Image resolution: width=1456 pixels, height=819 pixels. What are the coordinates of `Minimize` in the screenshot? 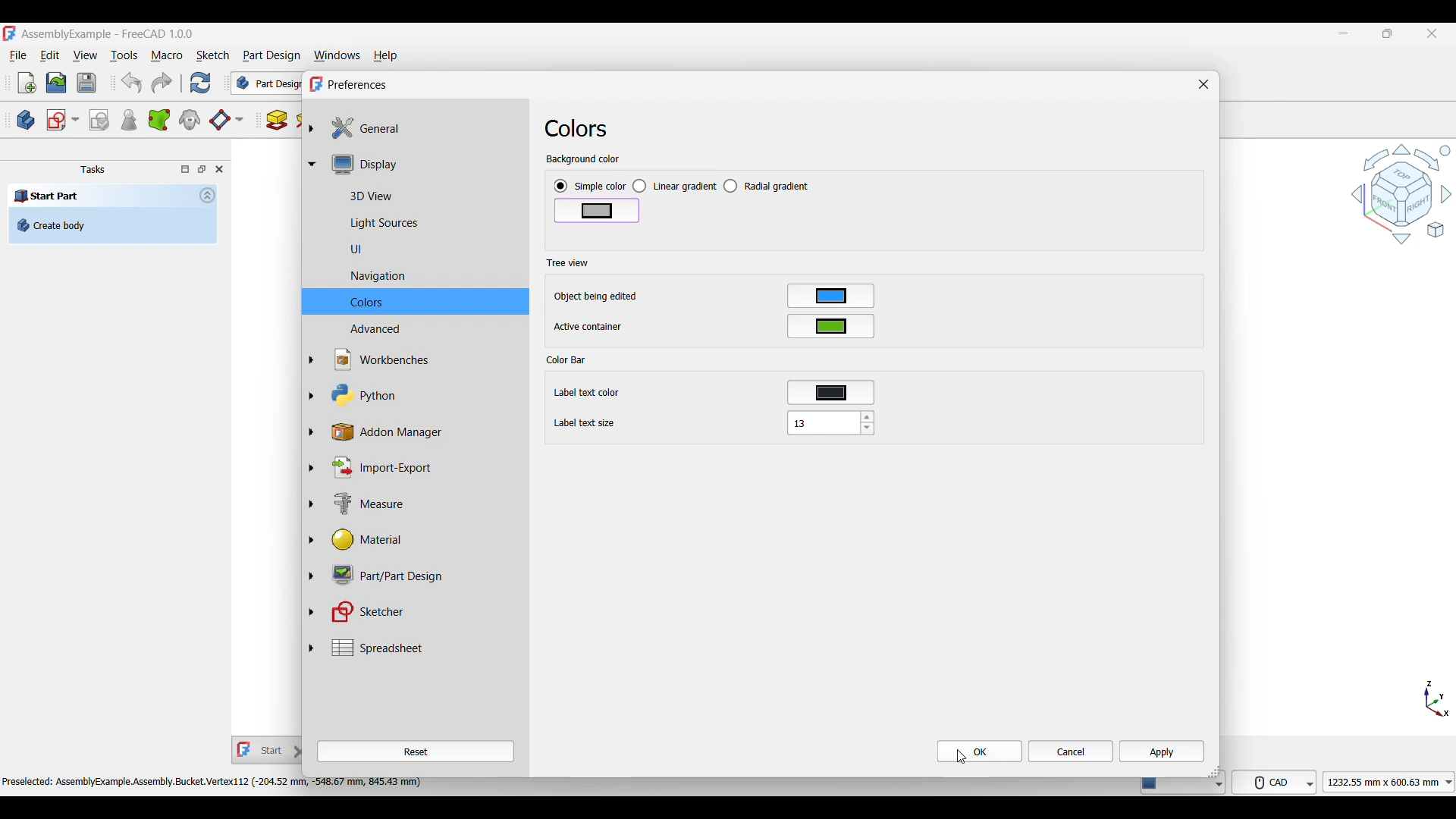 It's located at (1343, 33).